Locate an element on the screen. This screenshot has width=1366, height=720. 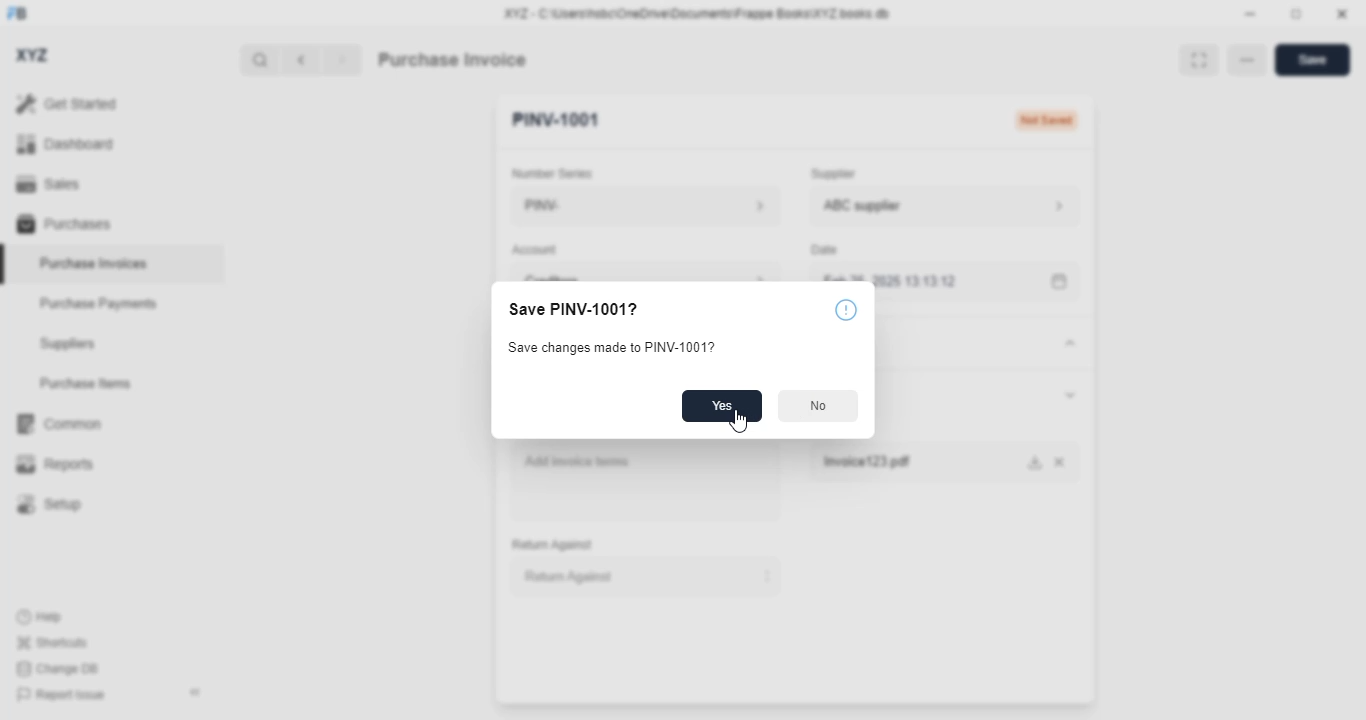
dashboard is located at coordinates (65, 143).